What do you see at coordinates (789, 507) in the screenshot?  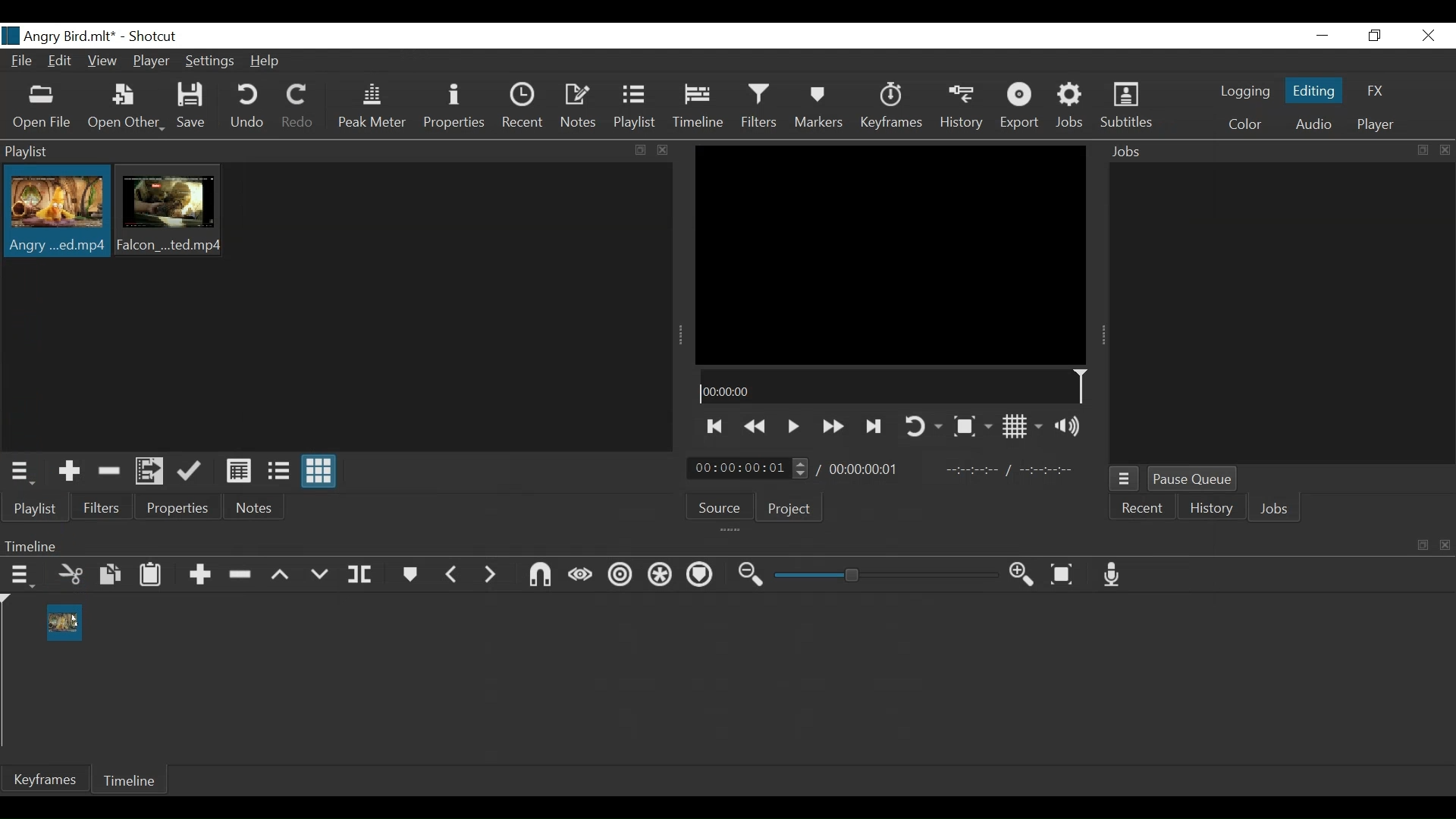 I see `Project` at bounding box center [789, 507].